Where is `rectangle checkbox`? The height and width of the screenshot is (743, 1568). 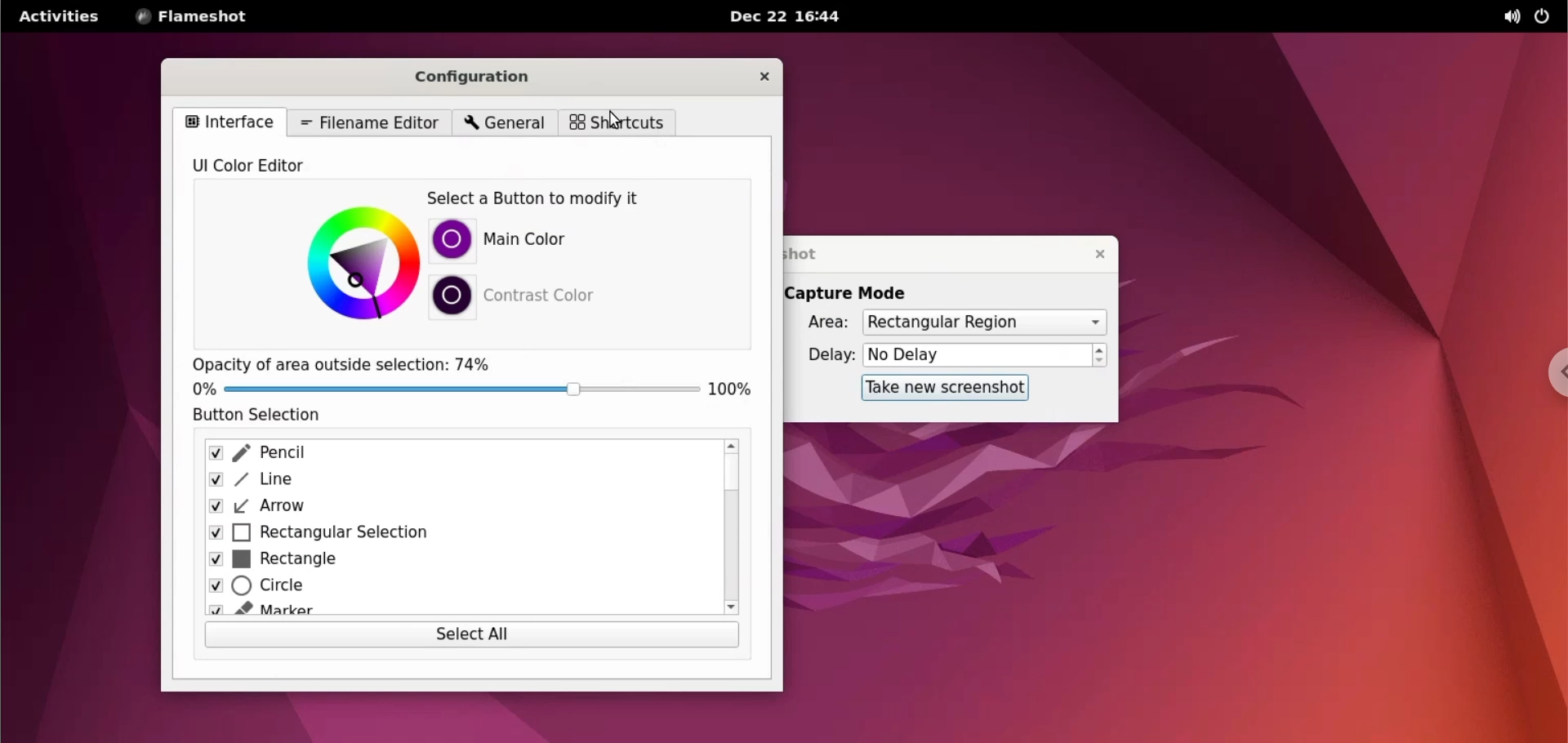 rectangle checkbox is located at coordinates (452, 562).